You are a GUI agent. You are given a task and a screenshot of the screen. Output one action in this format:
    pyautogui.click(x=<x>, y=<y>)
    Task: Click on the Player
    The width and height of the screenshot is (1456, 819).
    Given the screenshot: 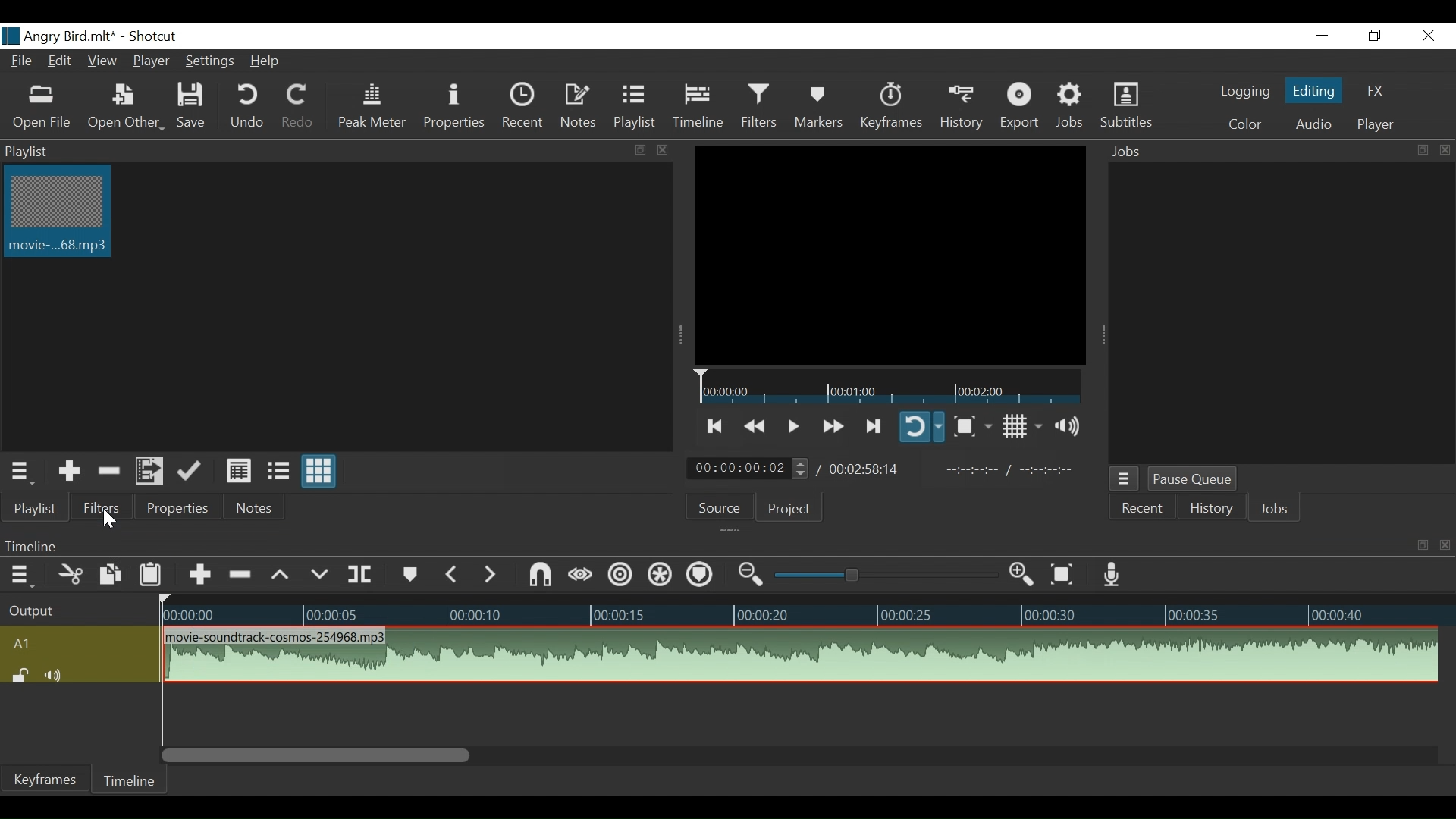 What is the action you would take?
    pyautogui.click(x=1373, y=126)
    